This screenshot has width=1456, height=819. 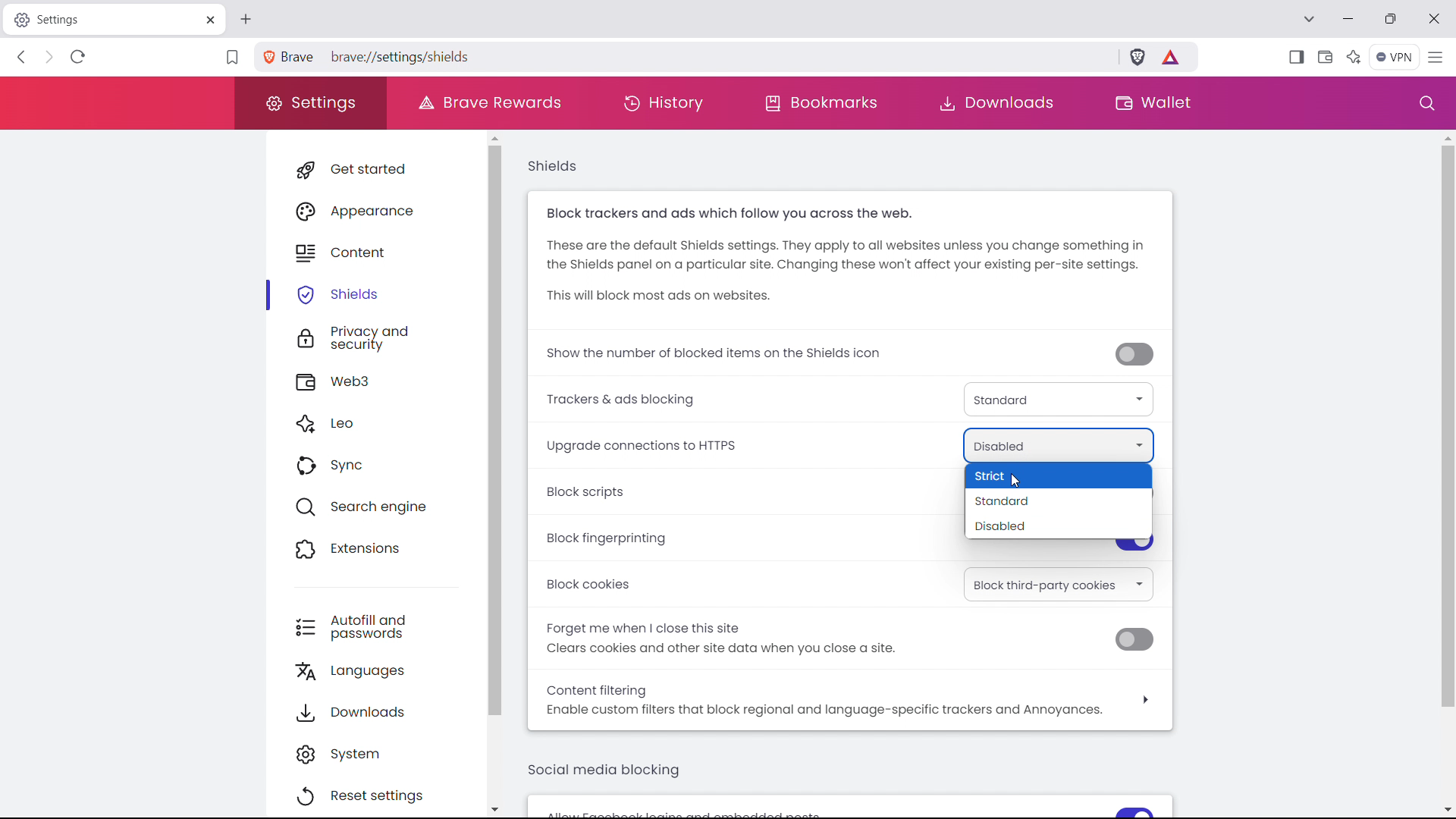 I want to click on select block cookies option, so click(x=1060, y=584).